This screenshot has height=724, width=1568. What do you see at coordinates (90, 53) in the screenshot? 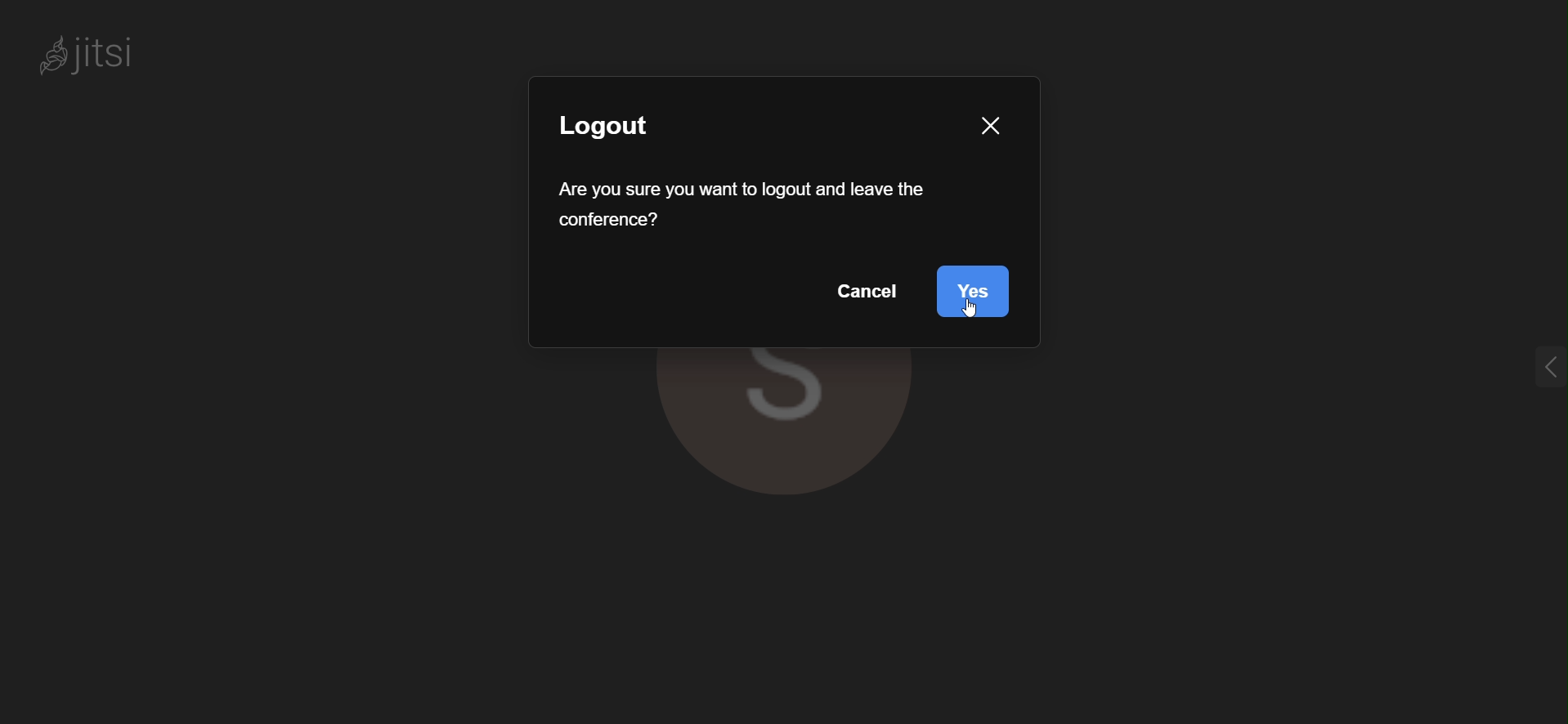
I see `Jitsi` at bounding box center [90, 53].